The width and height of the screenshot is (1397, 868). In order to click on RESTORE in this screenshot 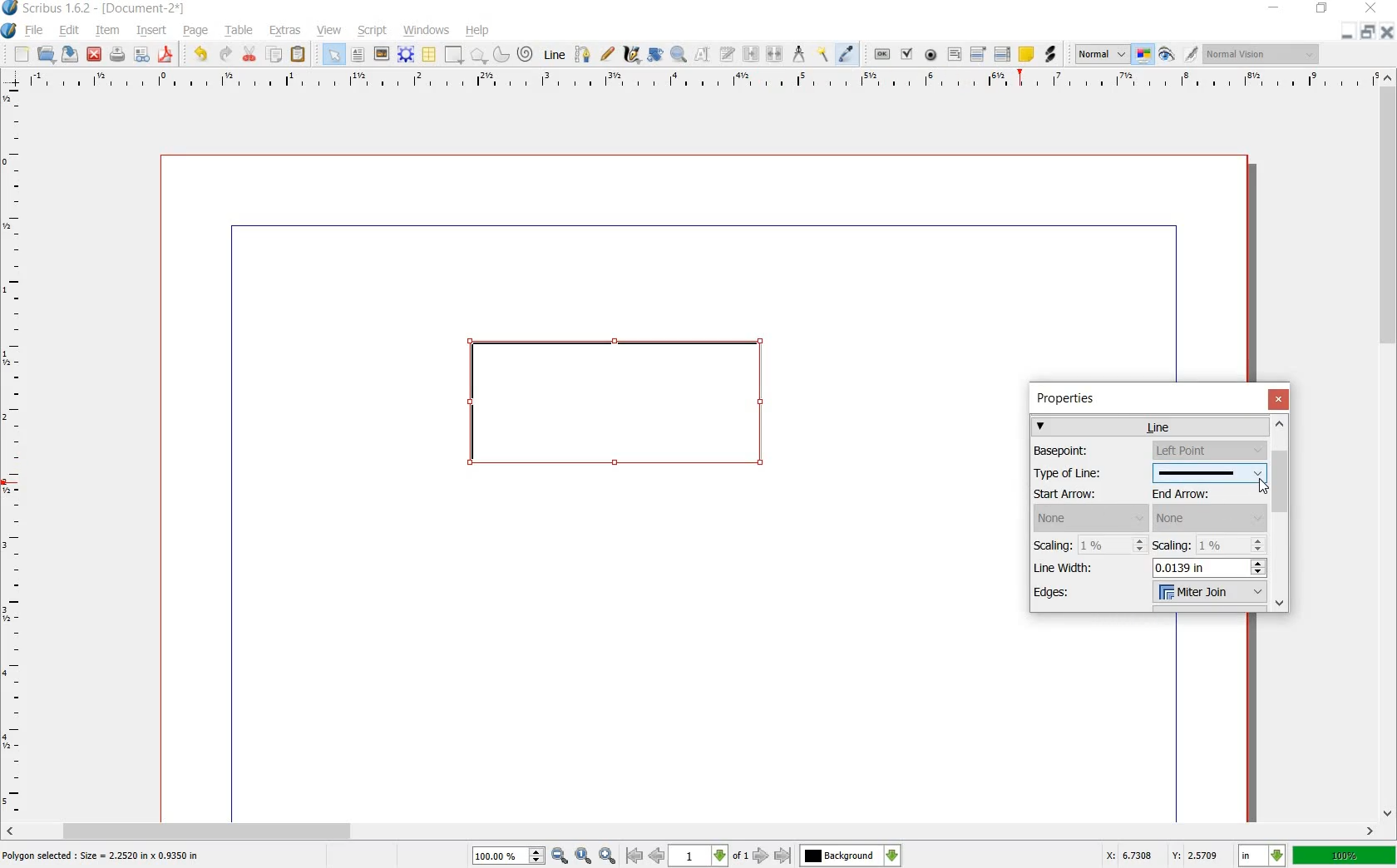, I will do `click(1370, 32)`.